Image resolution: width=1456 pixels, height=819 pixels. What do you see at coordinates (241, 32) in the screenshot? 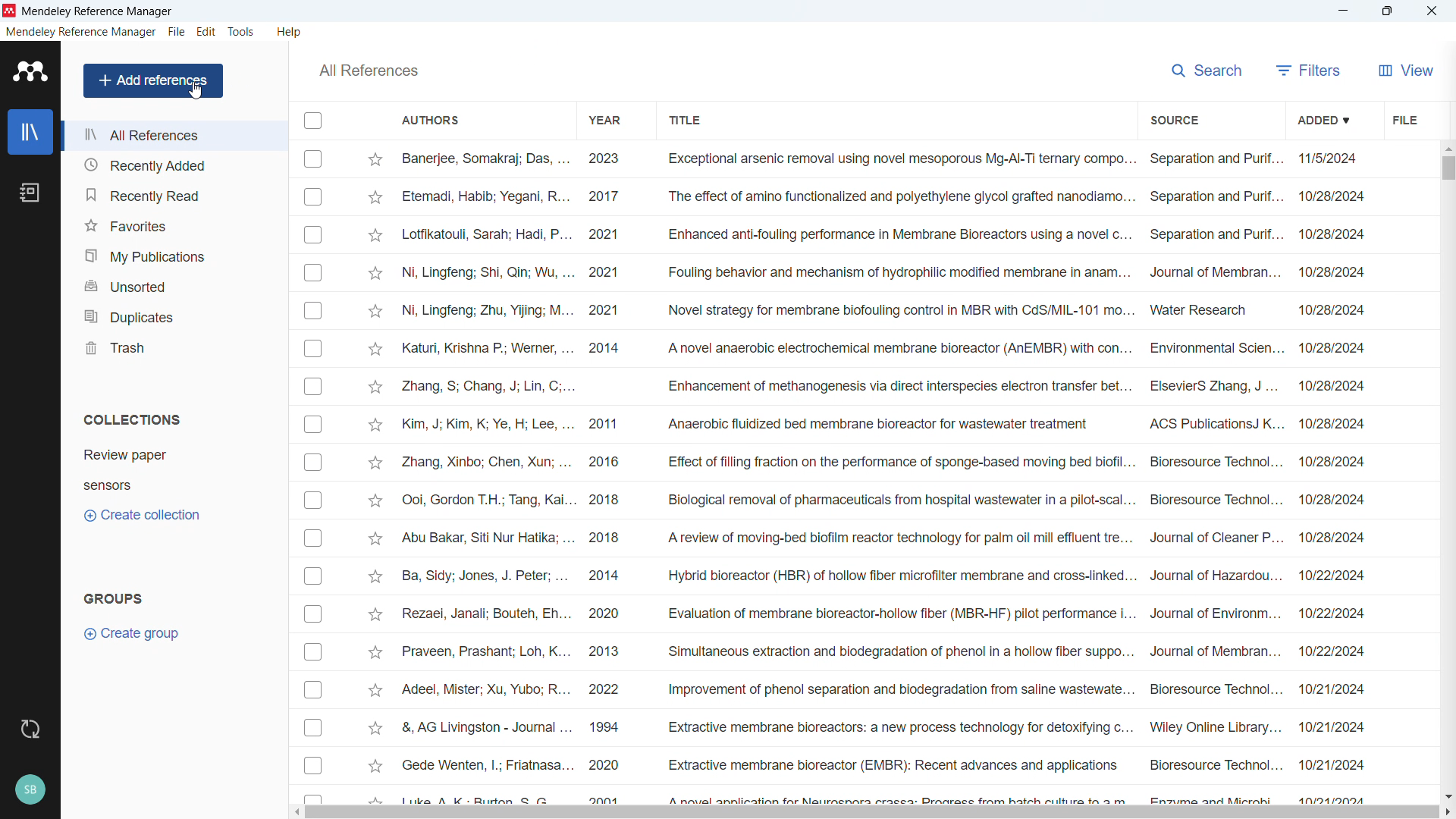
I see `Tools ` at bounding box center [241, 32].